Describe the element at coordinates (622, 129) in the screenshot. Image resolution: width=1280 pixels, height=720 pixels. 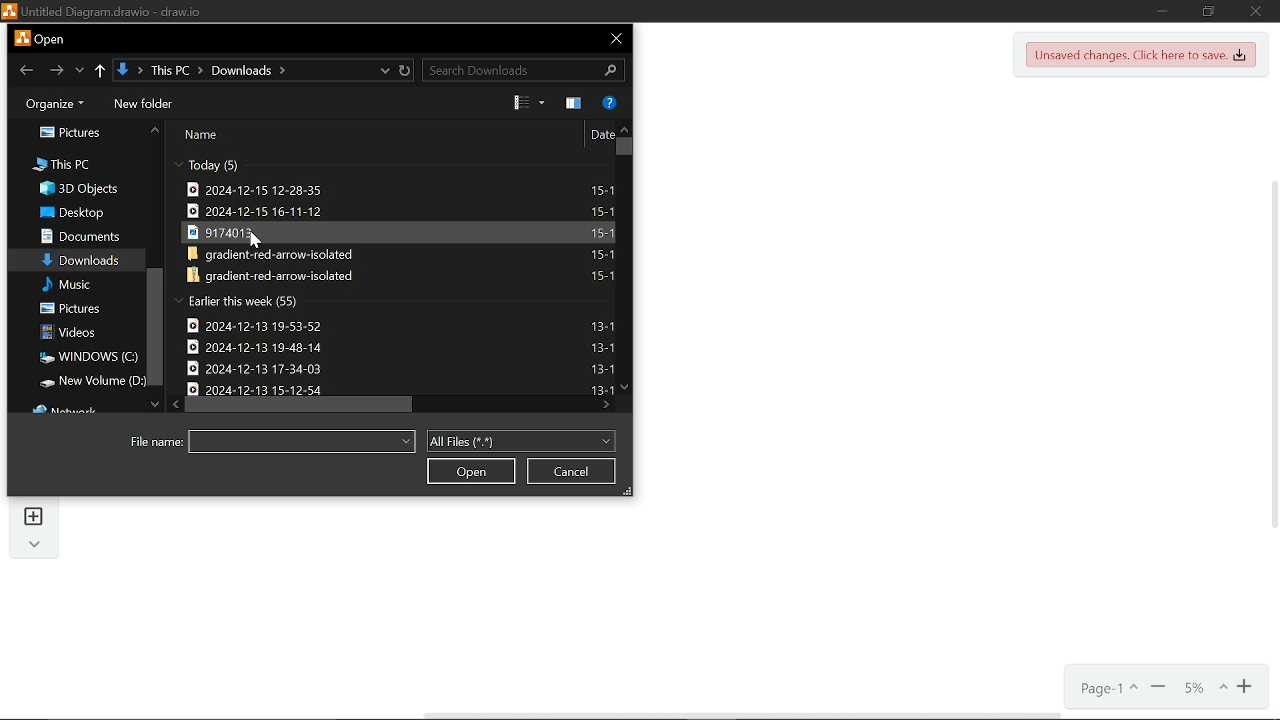
I see `Move up in files` at that location.